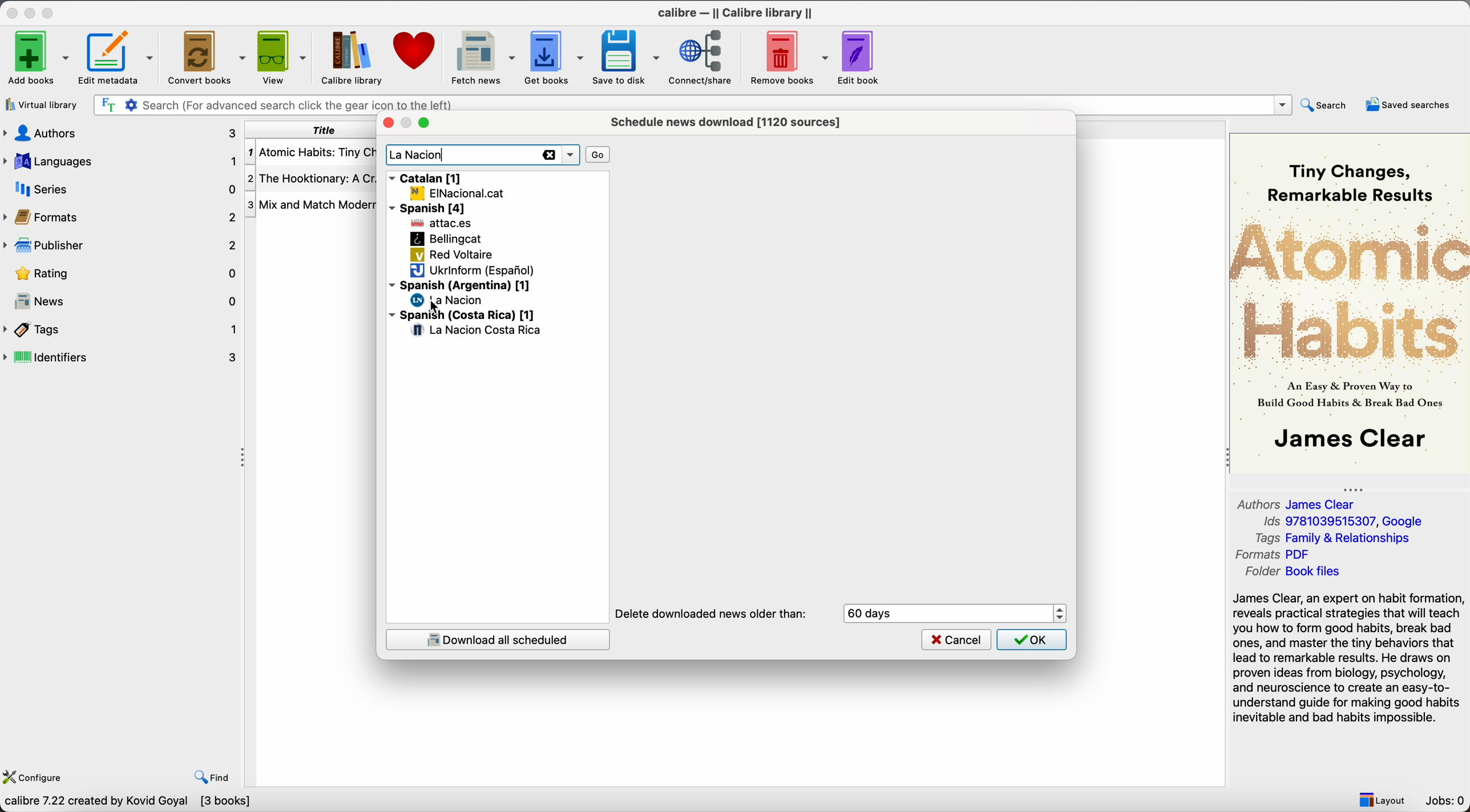 Image resolution: width=1470 pixels, height=812 pixels. I want to click on Formats Pdf, so click(1275, 555).